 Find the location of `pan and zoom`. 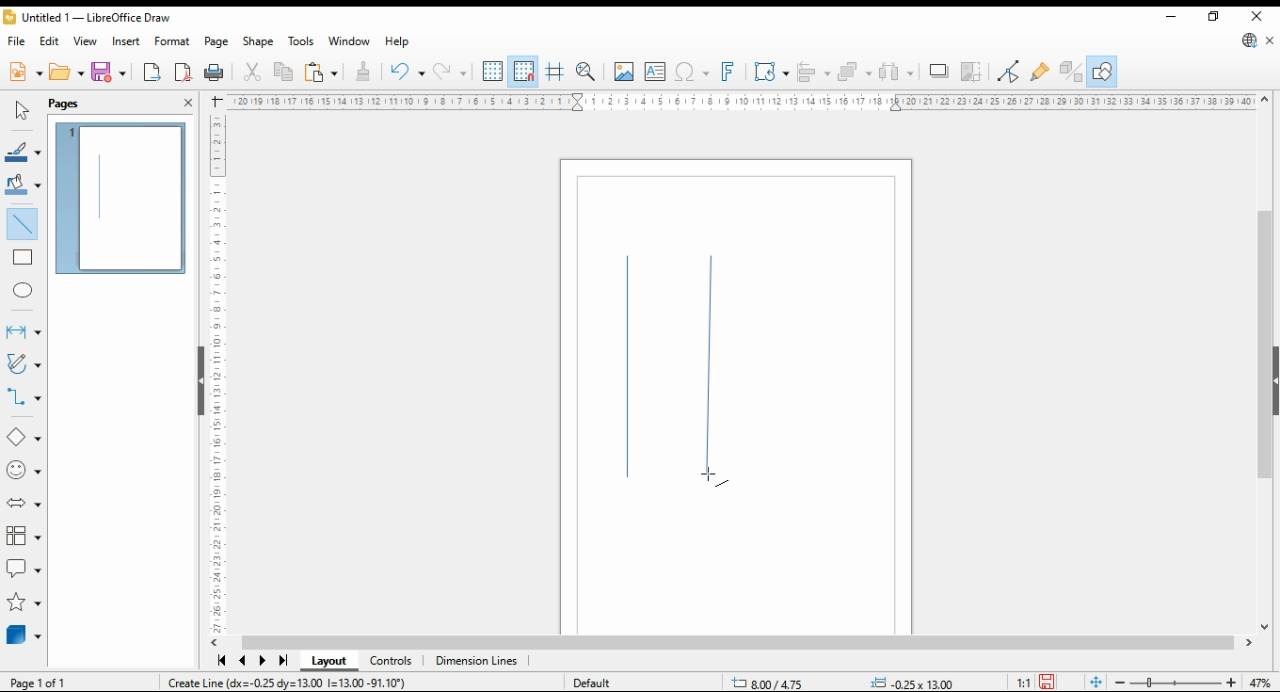

pan and zoom is located at coordinates (586, 72).